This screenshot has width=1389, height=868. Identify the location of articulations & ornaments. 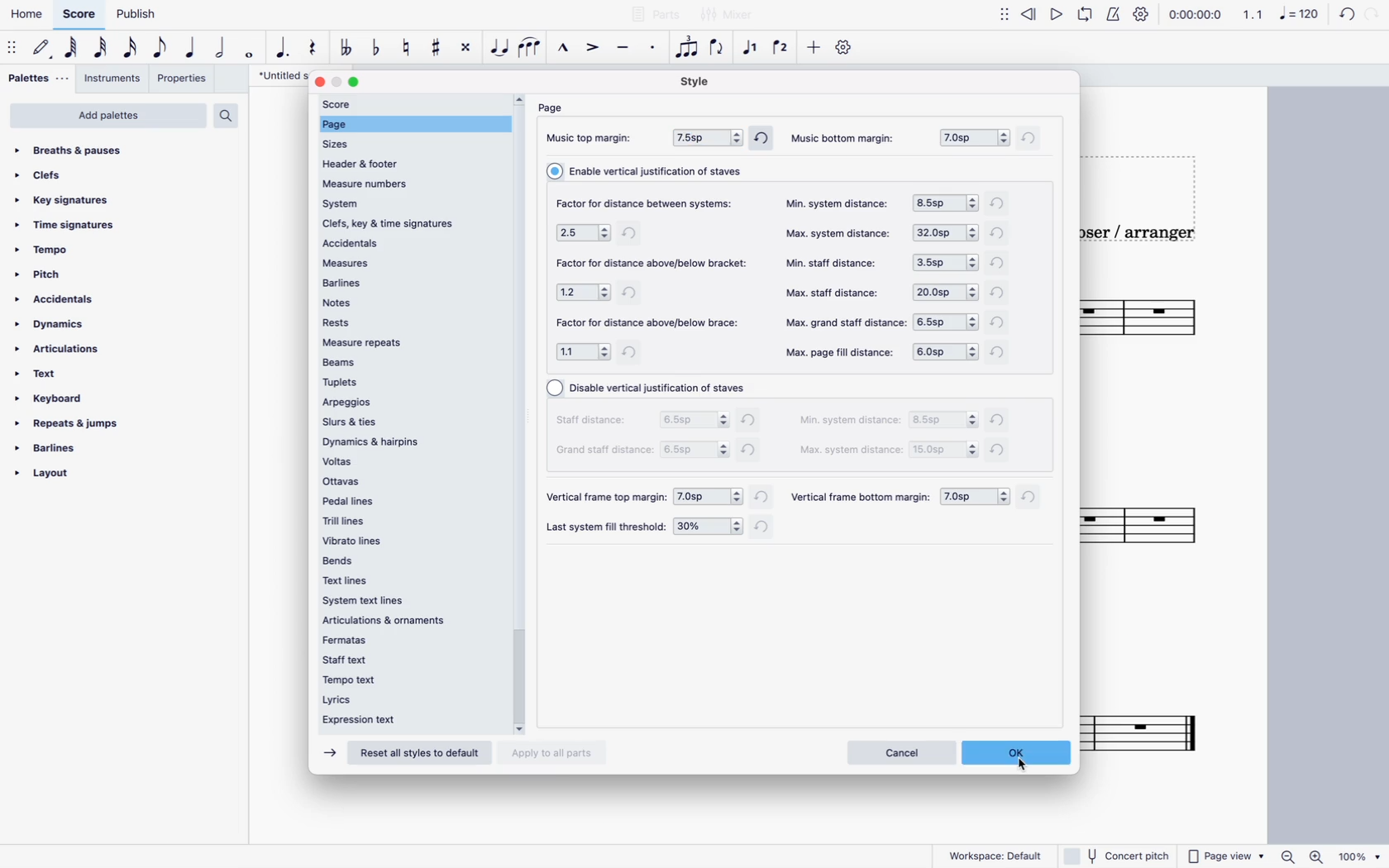
(390, 622).